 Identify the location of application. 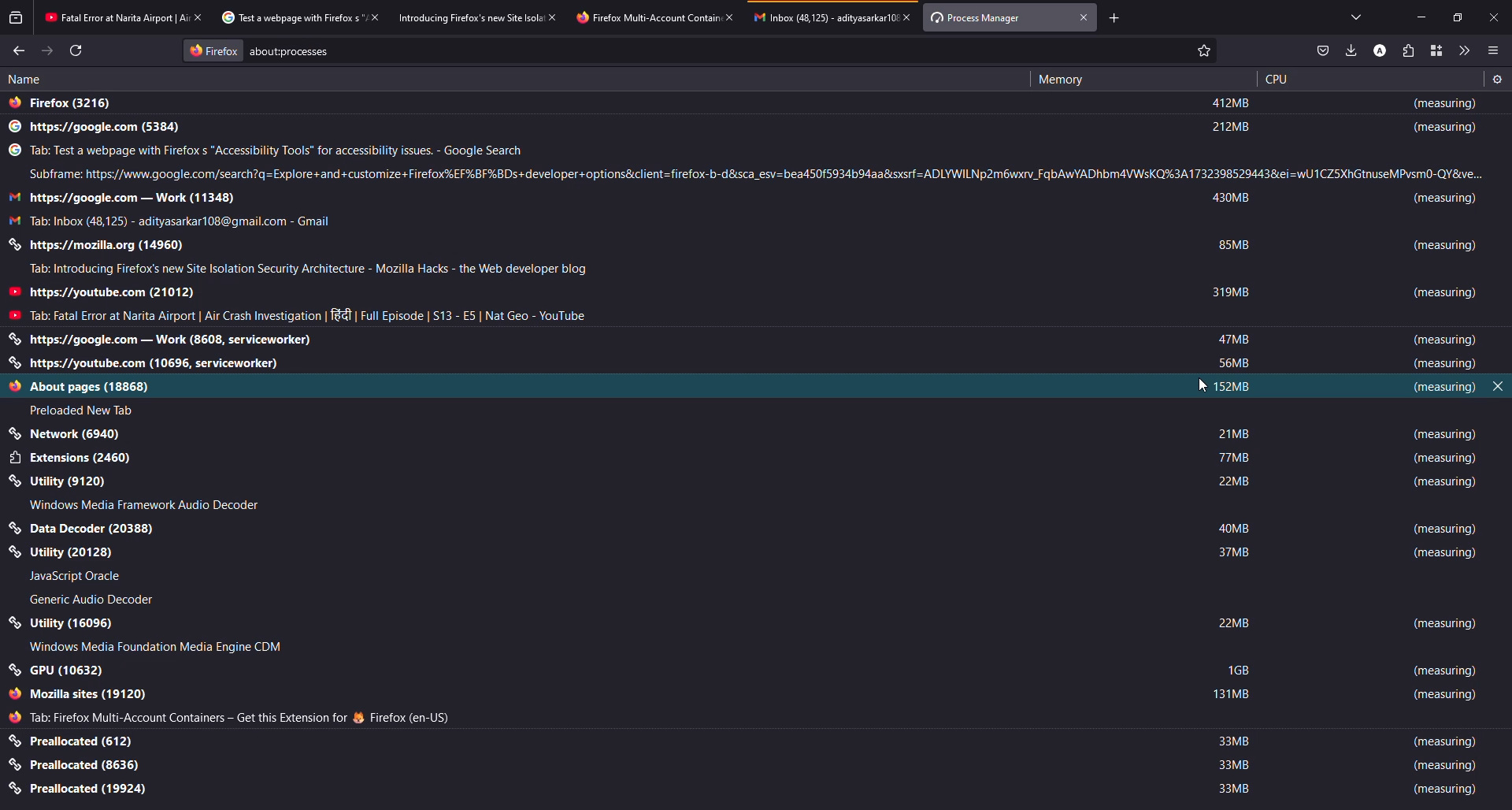
(67, 434).